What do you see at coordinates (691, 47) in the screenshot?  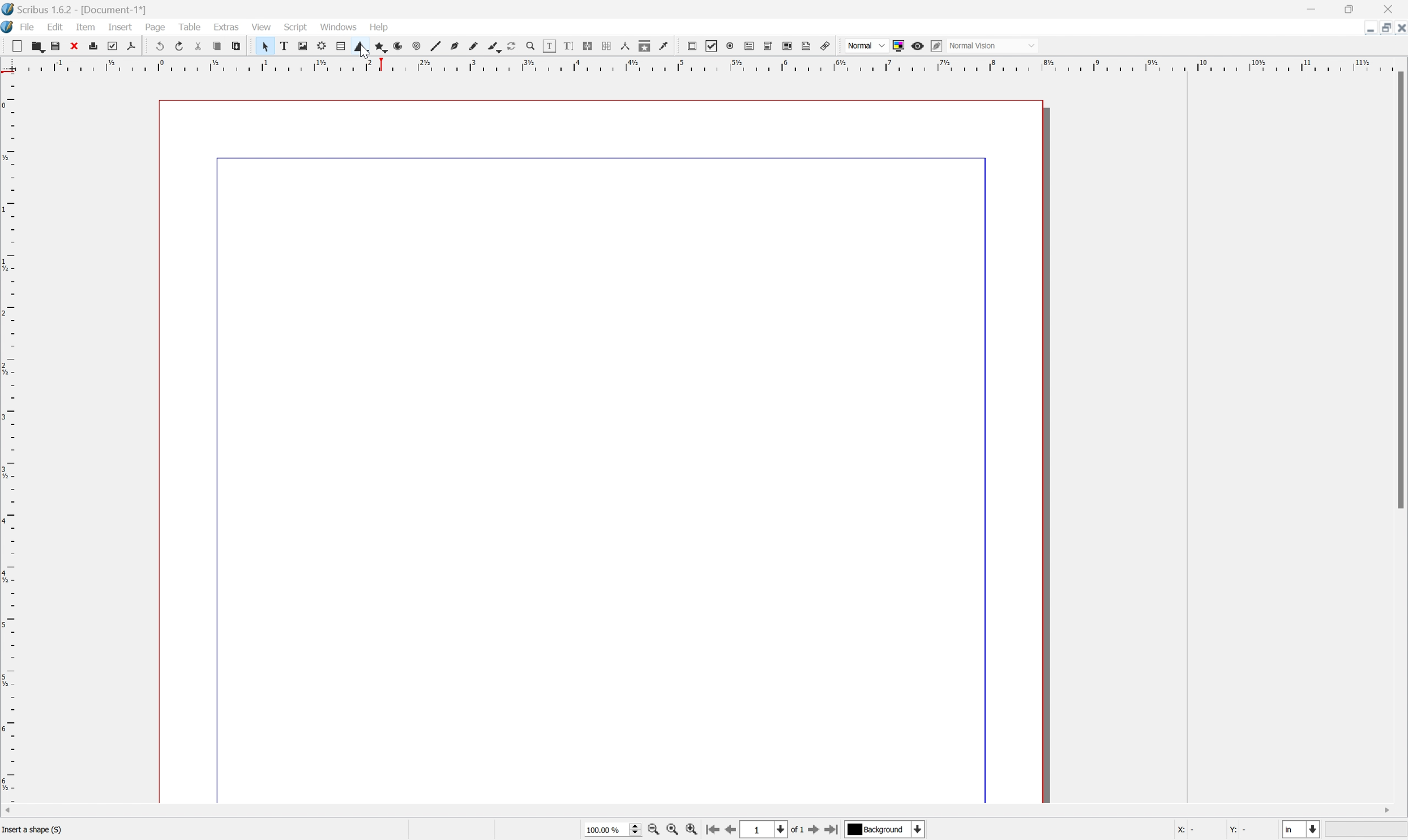 I see `PDF push button` at bounding box center [691, 47].